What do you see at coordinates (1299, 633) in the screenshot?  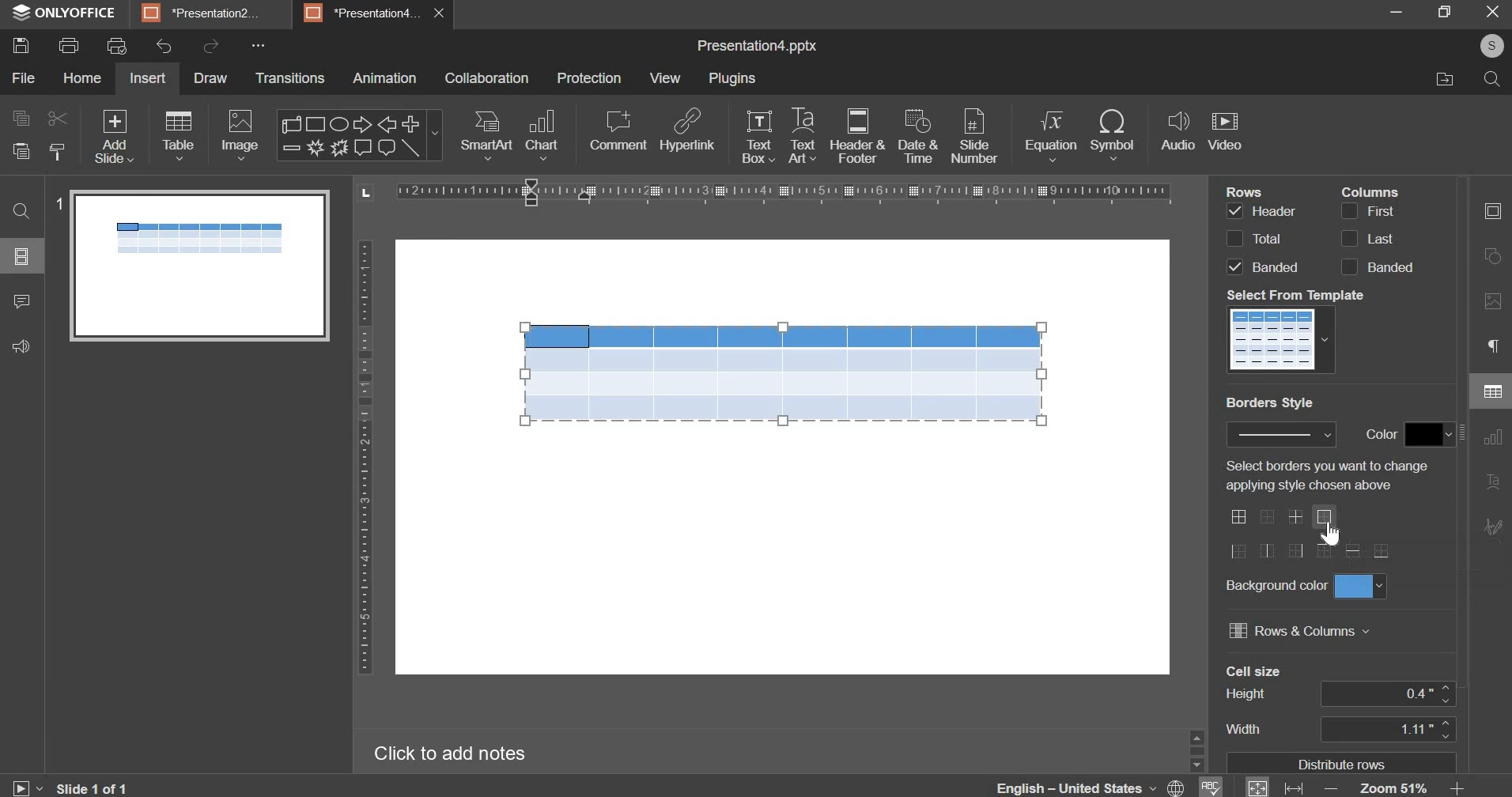 I see `rows & columns` at bounding box center [1299, 633].